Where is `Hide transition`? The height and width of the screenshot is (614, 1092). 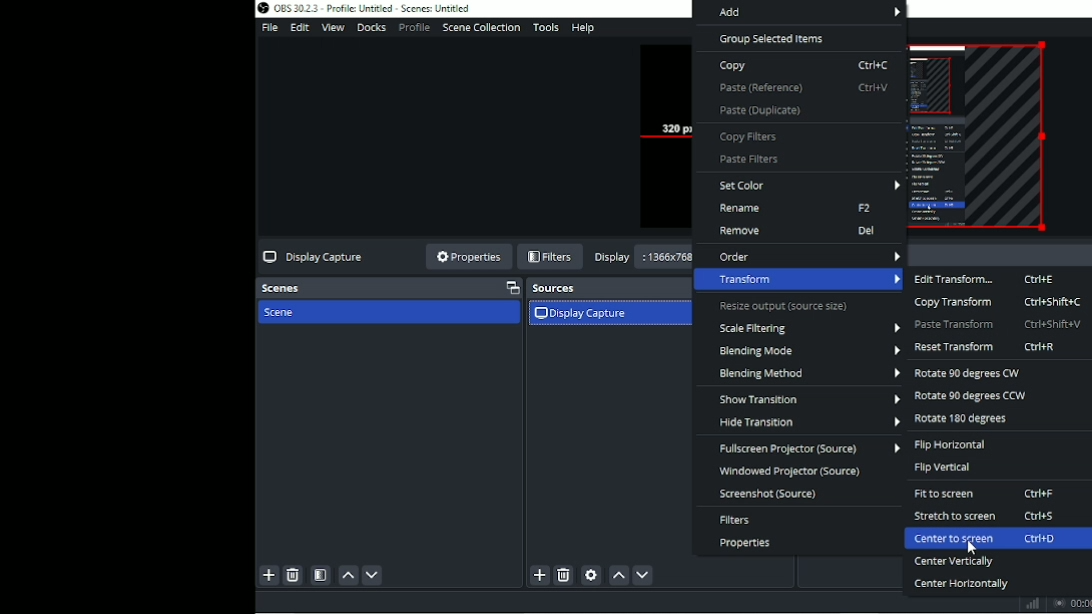
Hide transition is located at coordinates (808, 423).